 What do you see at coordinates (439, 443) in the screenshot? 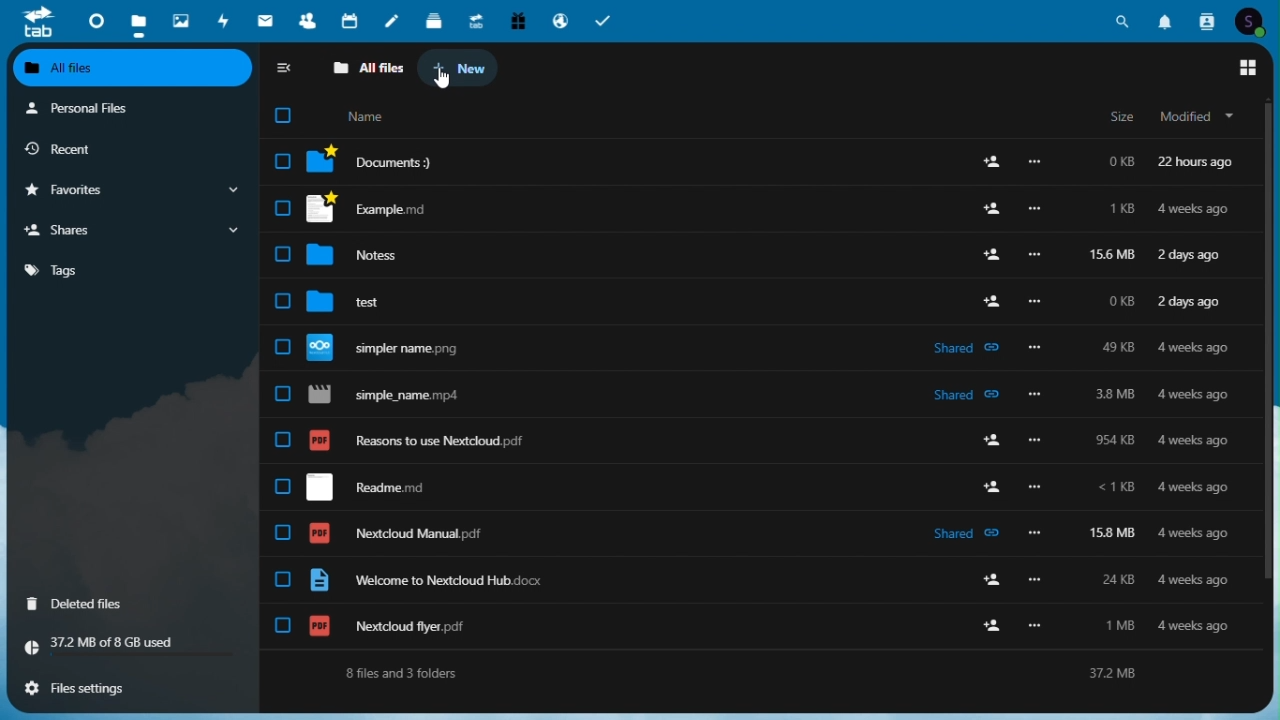
I see `reasons to use nextcloud.pdf` at bounding box center [439, 443].